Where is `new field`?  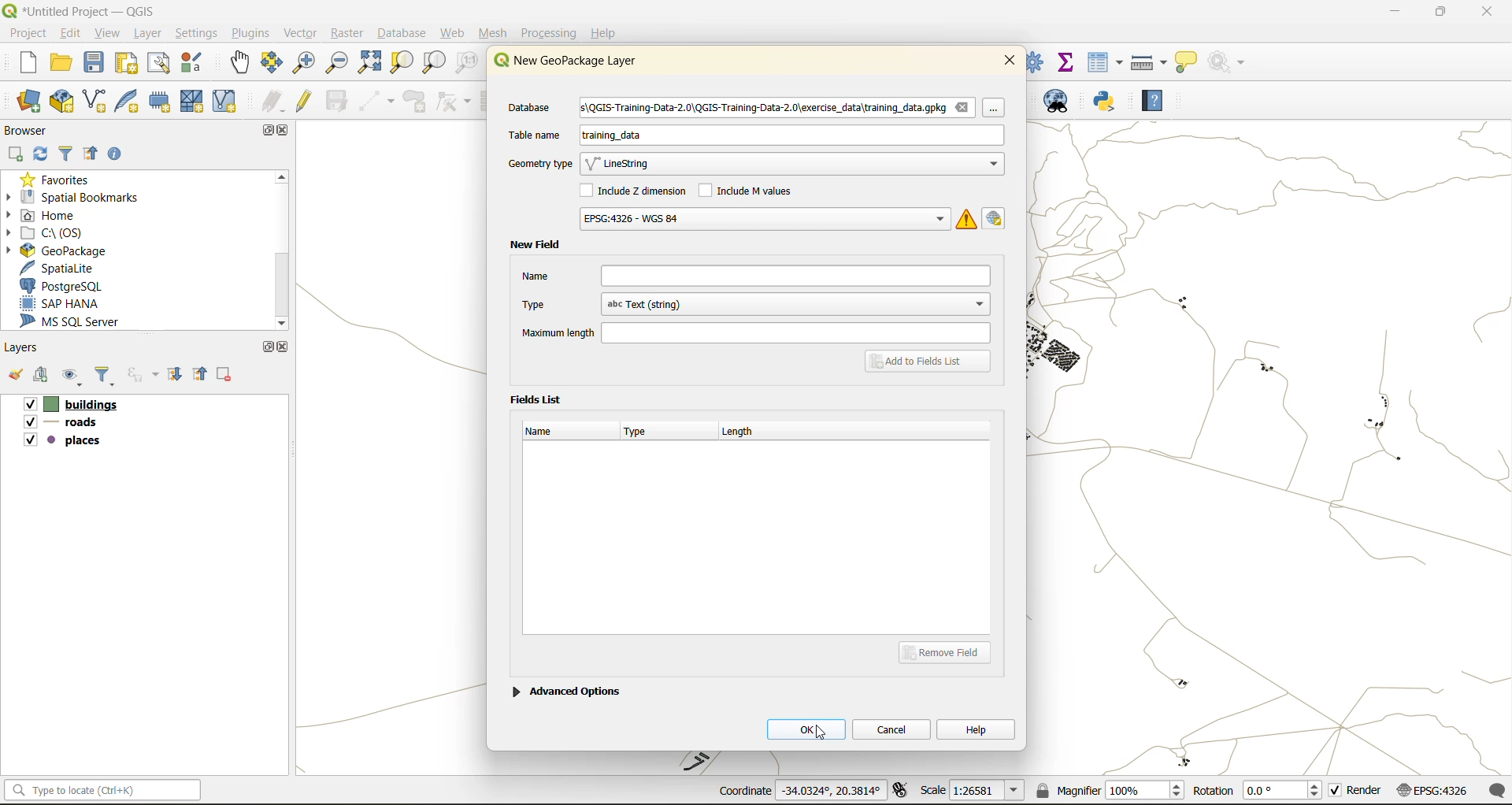 new field is located at coordinates (535, 245).